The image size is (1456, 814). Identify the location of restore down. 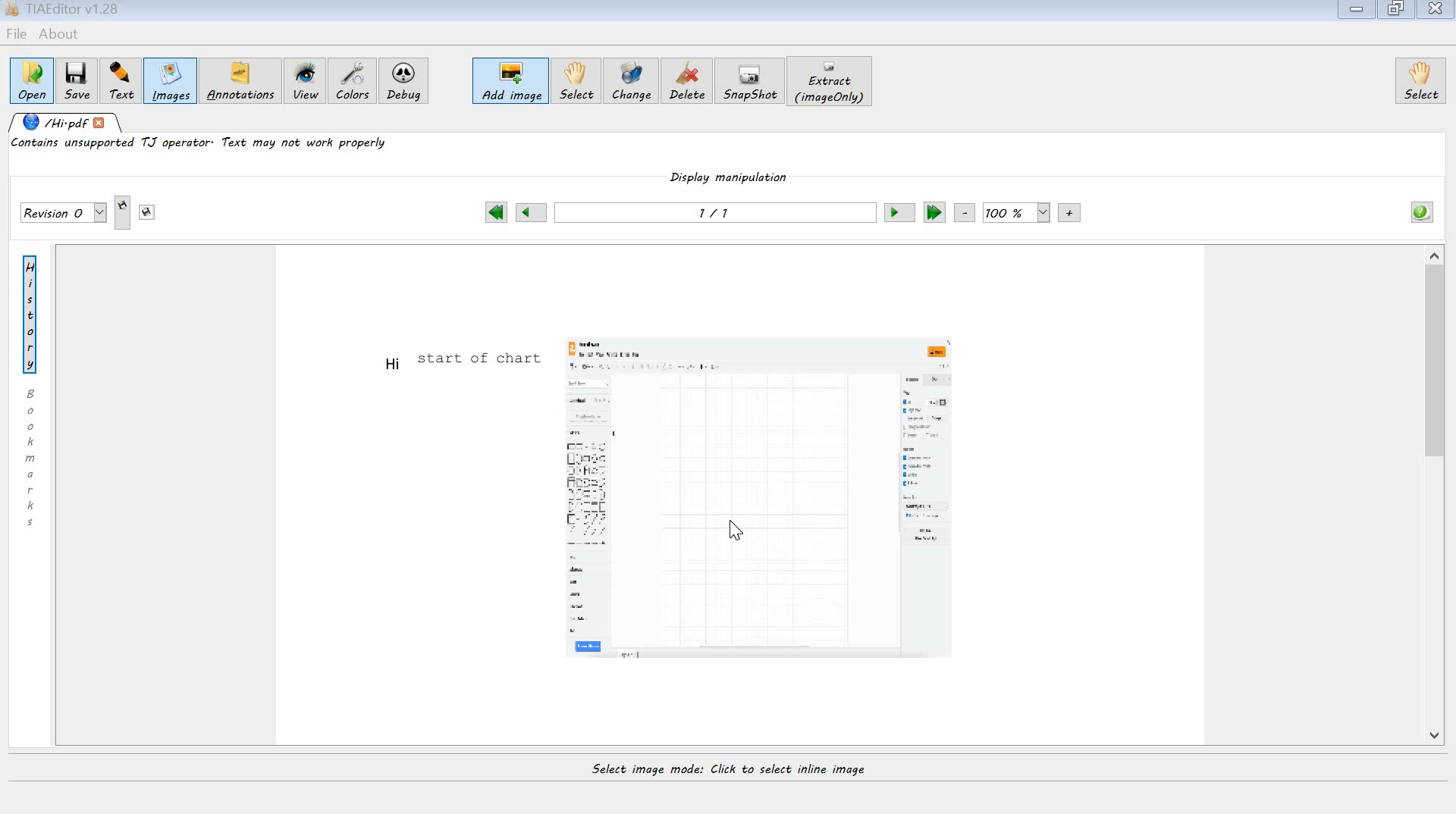
(1398, 9).